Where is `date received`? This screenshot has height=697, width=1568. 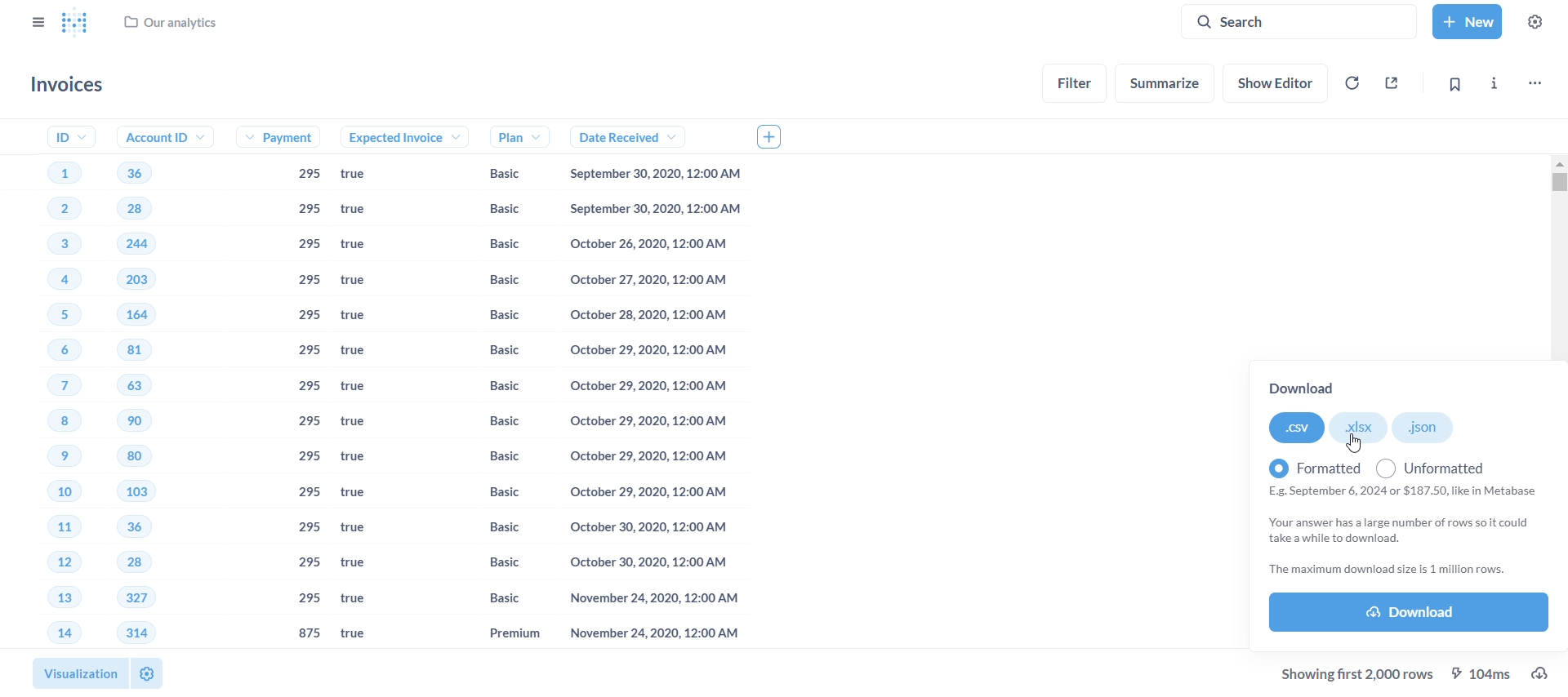
date received is located at coordinates (618, 137).